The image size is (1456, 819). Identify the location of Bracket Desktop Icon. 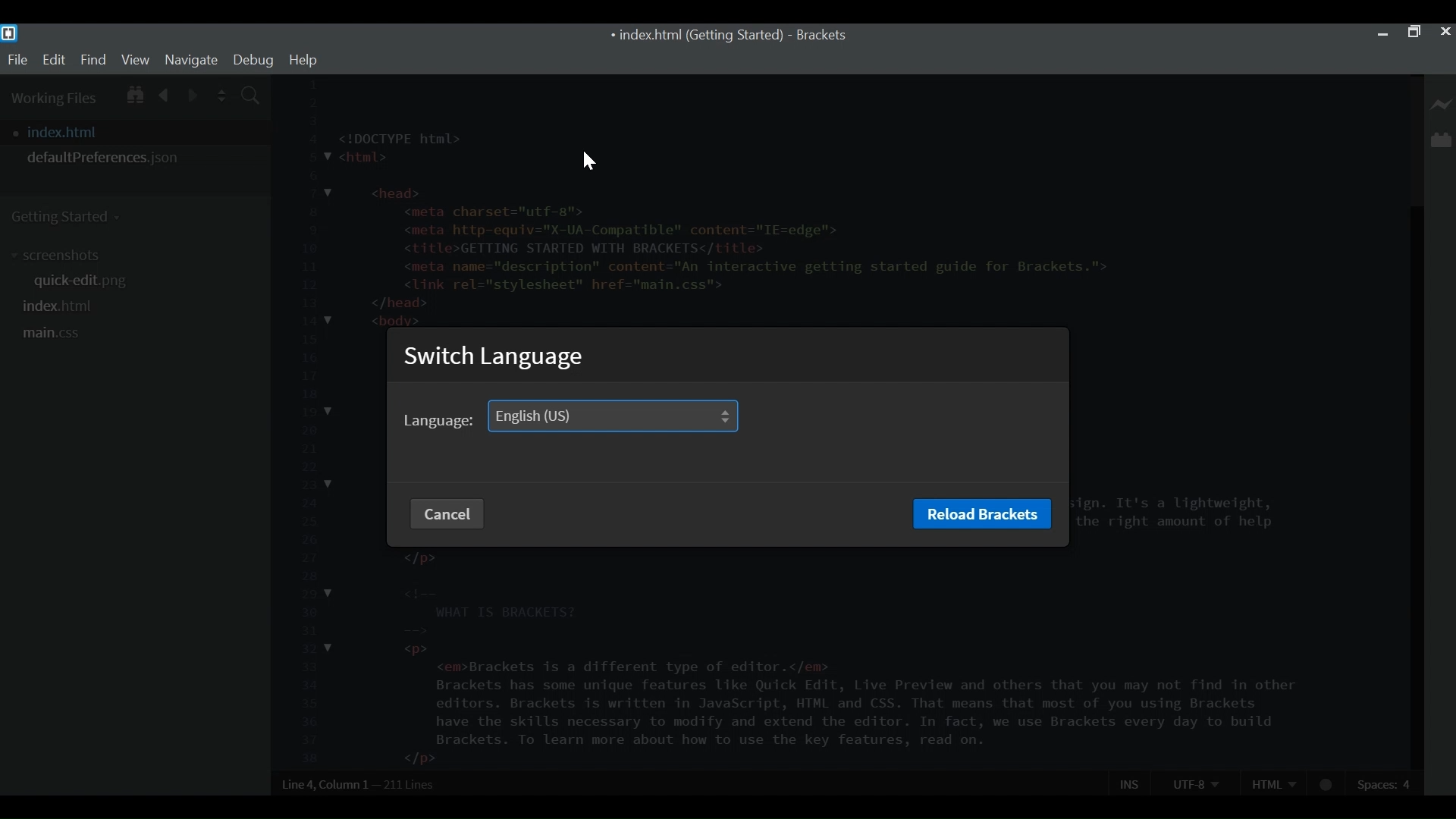
(9, 33).